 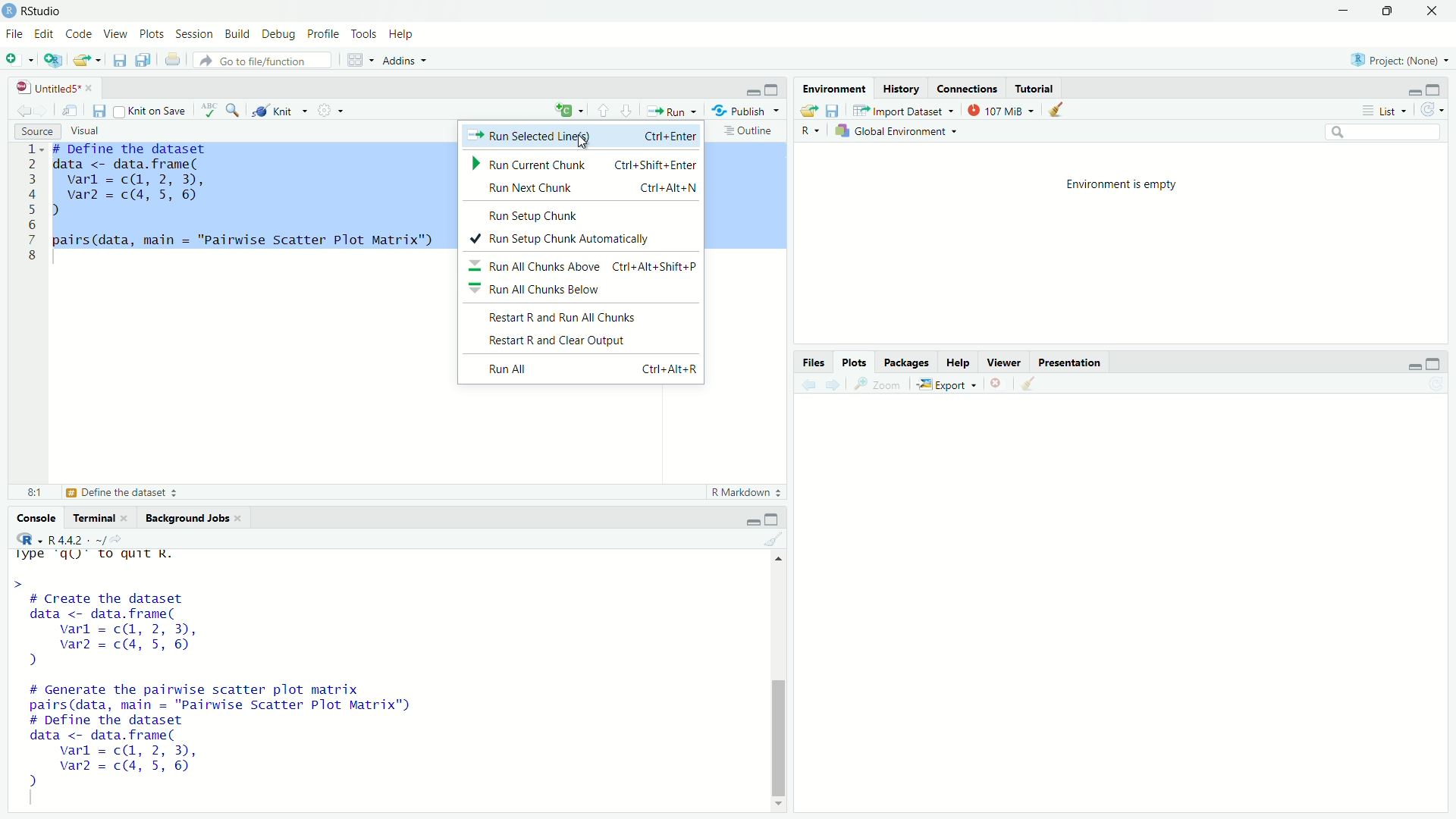 What do you see at coordinates (968, 88) in the screenshot?
I see `Coordinates` at bounding box center [968, 88].